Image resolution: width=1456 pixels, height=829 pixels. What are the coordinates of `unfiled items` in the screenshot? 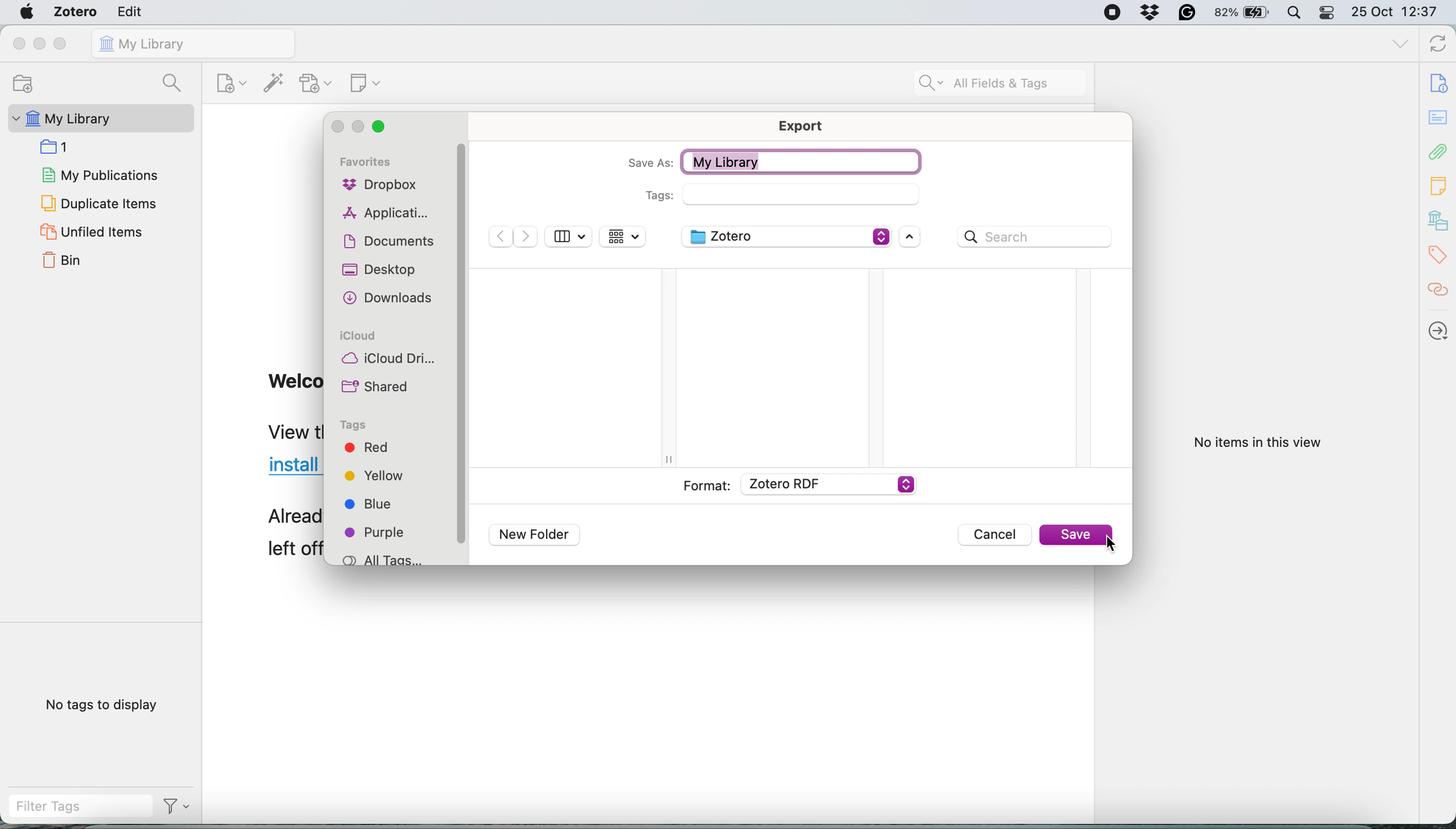 It's located at (91, 233).